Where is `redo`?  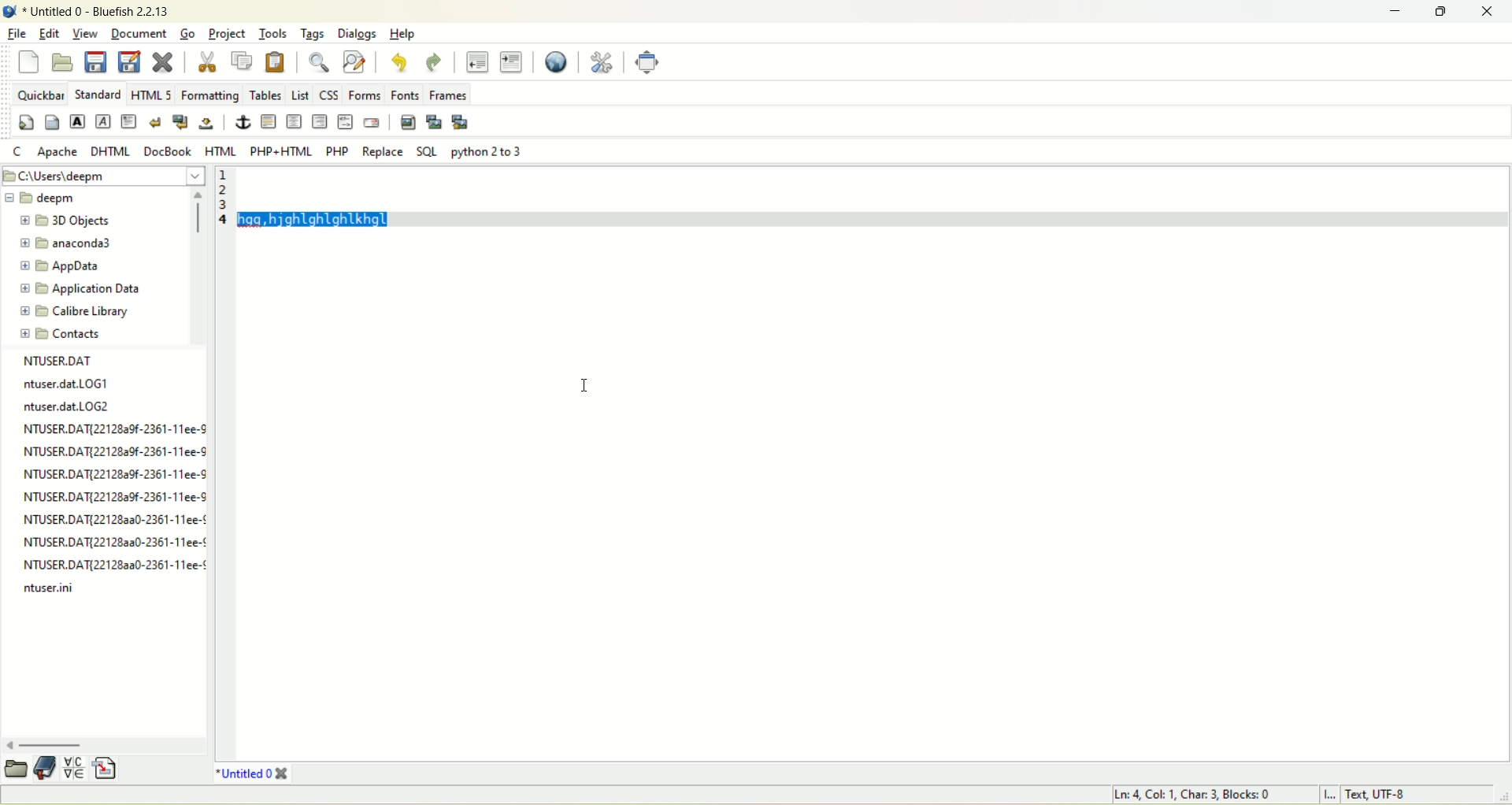
redo is located at coordinates (435, 63).